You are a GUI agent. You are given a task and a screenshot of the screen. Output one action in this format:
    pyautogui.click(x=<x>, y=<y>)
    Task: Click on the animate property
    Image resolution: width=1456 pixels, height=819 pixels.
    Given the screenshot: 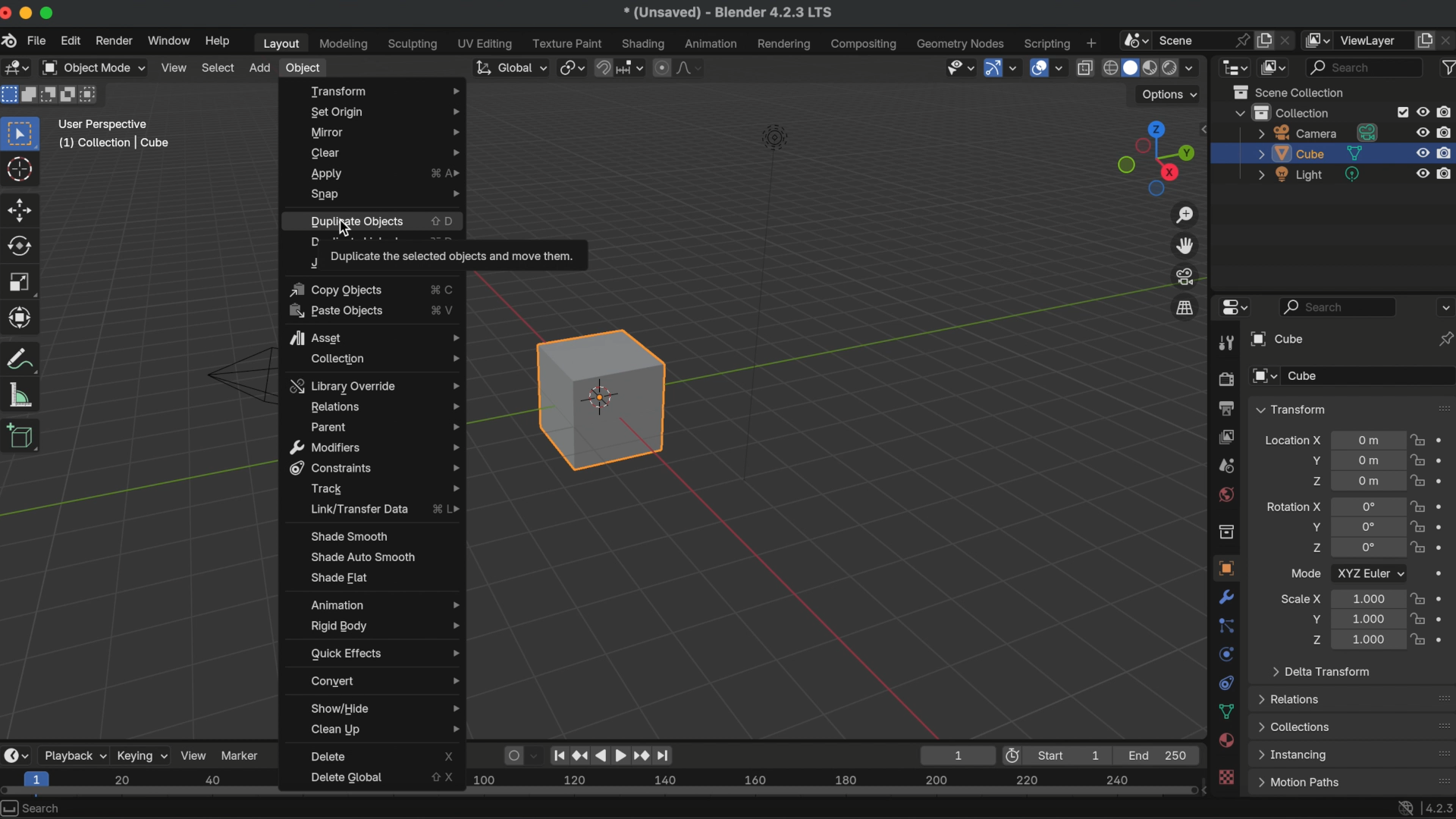 What is the action you would take?
    pyautogui.click(x=1444, y=618)
    